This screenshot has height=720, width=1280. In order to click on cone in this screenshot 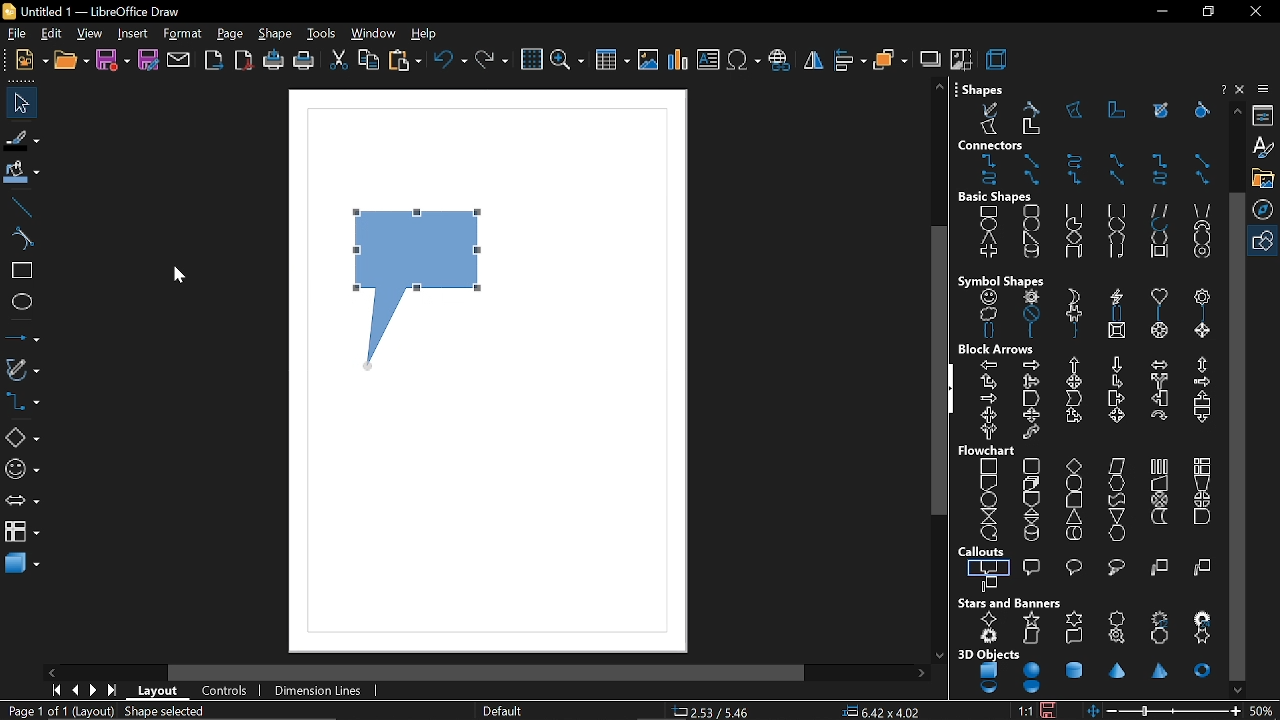, I will do `click(1119, 670)`.